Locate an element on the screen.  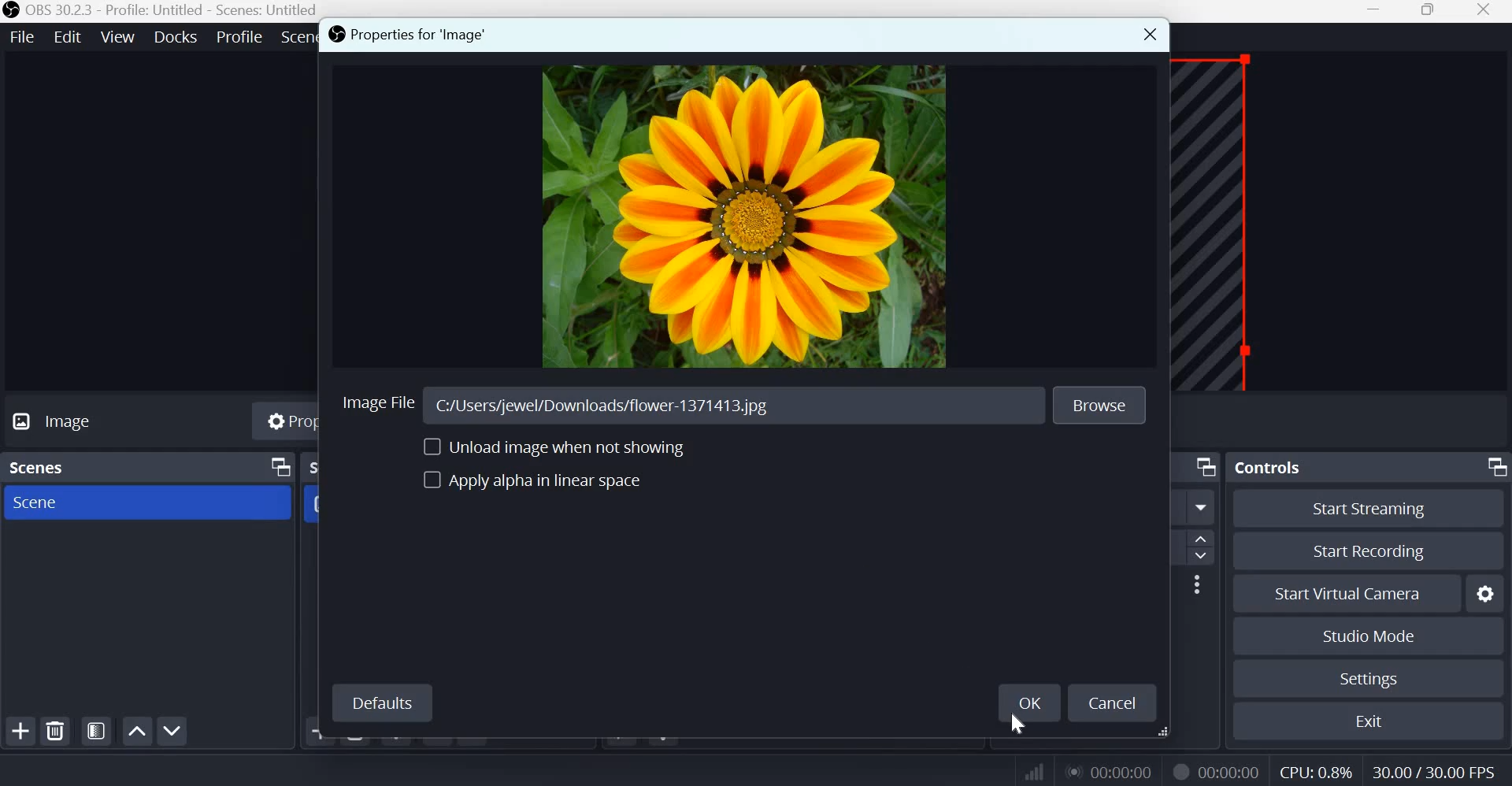
00:00:00 is located at coordinates (1113, 772).